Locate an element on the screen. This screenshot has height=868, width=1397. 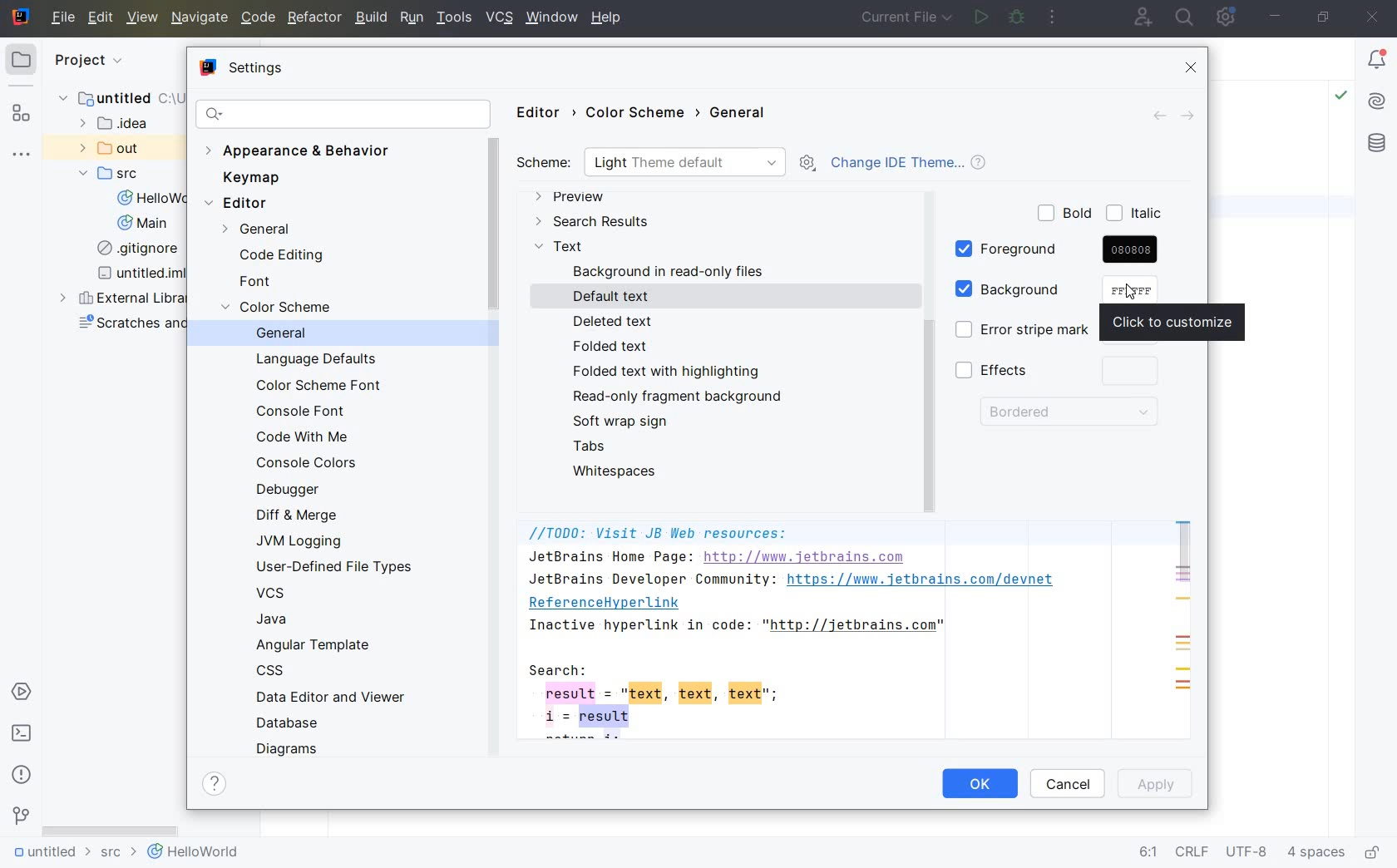
APPLY is located at coordinates (1160, 784).